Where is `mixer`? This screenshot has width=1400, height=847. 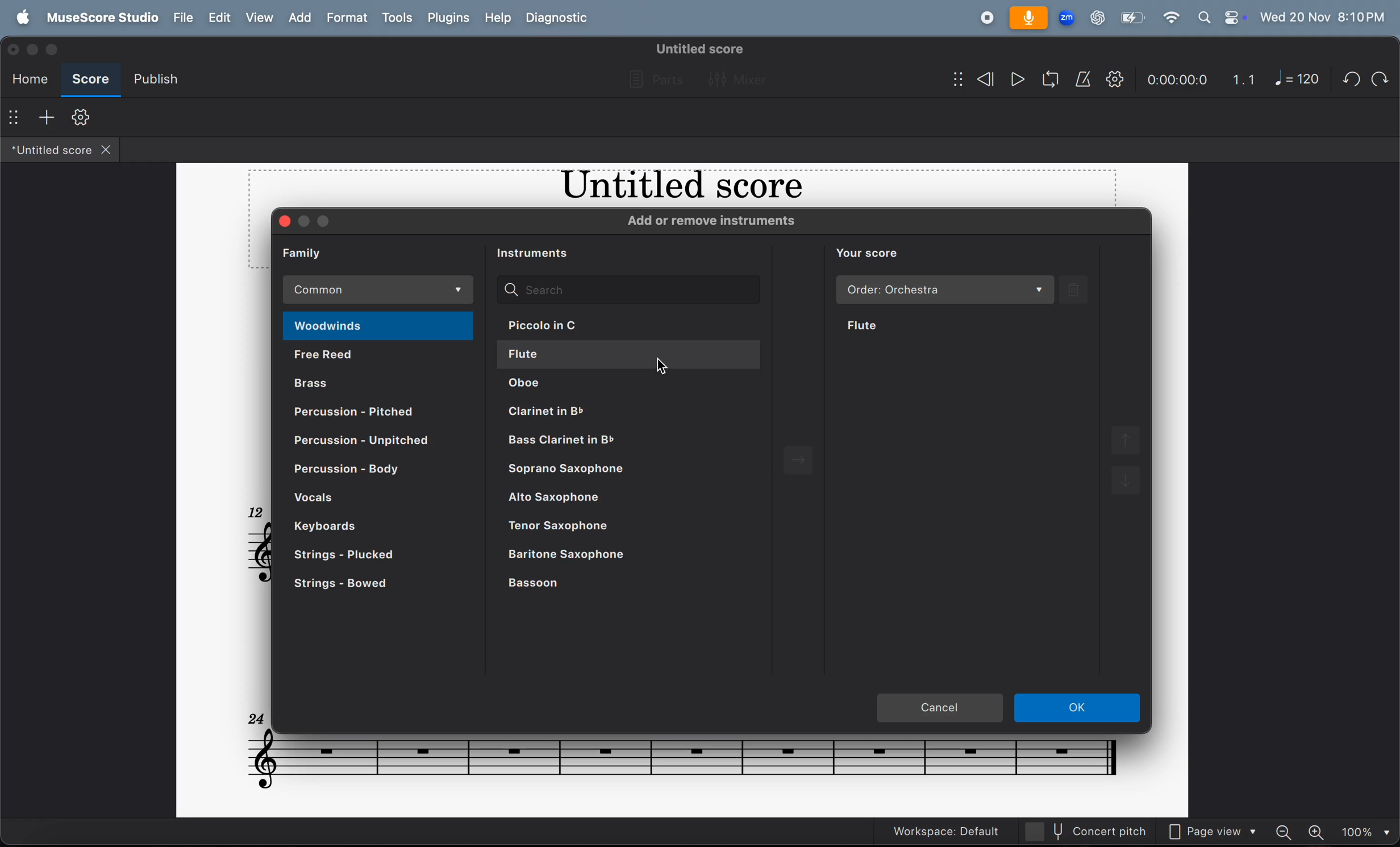 mixer is located at coordinates (735, 77).